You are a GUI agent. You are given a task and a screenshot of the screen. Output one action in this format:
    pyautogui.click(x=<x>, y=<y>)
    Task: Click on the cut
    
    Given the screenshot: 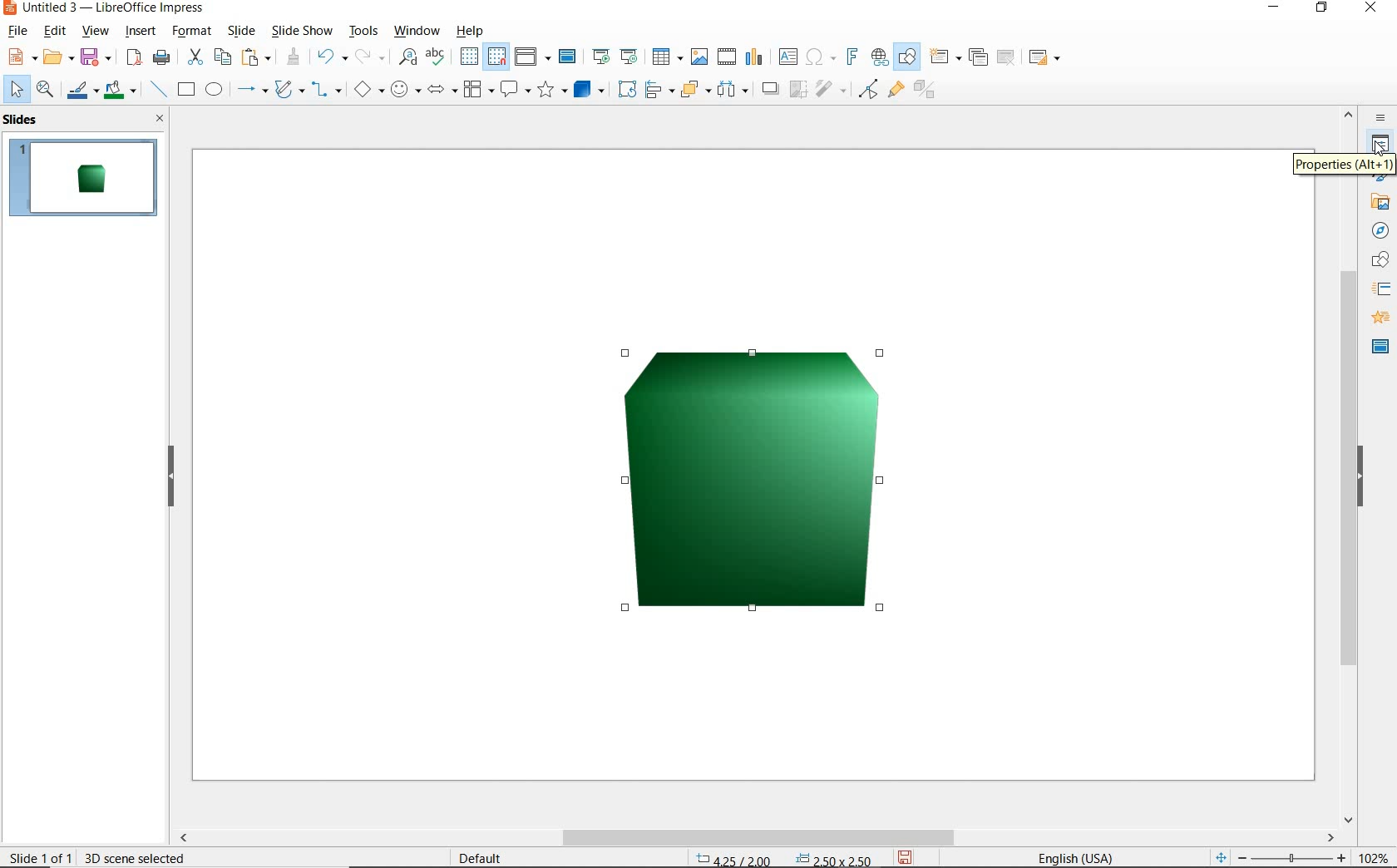 What is the action you would take?
    pyautogui.click(x=196, y=57)
    